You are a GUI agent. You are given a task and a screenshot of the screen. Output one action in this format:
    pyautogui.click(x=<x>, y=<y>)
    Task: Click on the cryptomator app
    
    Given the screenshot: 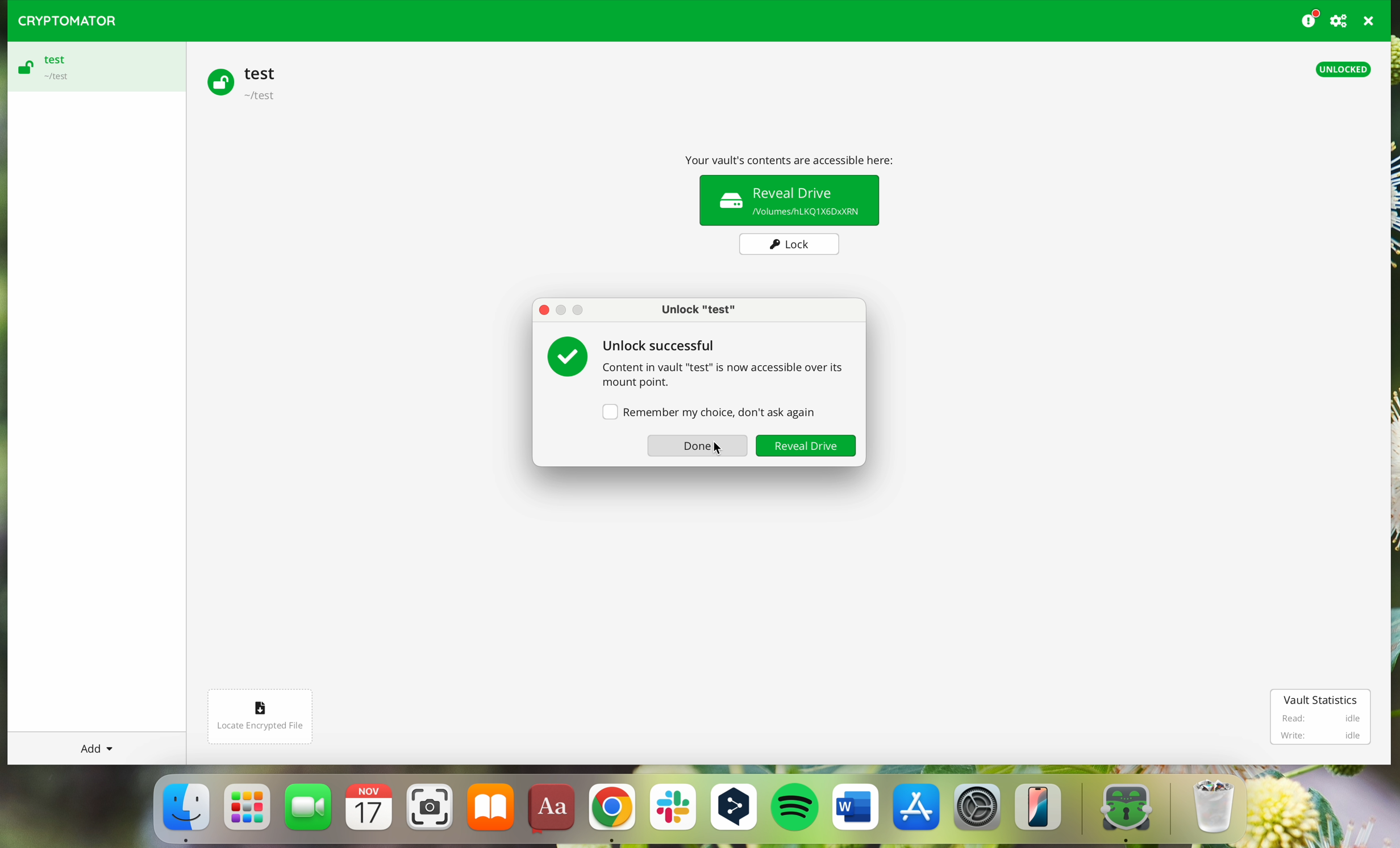 What is the action you would take?
    pyautogui.click(x=1118, y=811)
    